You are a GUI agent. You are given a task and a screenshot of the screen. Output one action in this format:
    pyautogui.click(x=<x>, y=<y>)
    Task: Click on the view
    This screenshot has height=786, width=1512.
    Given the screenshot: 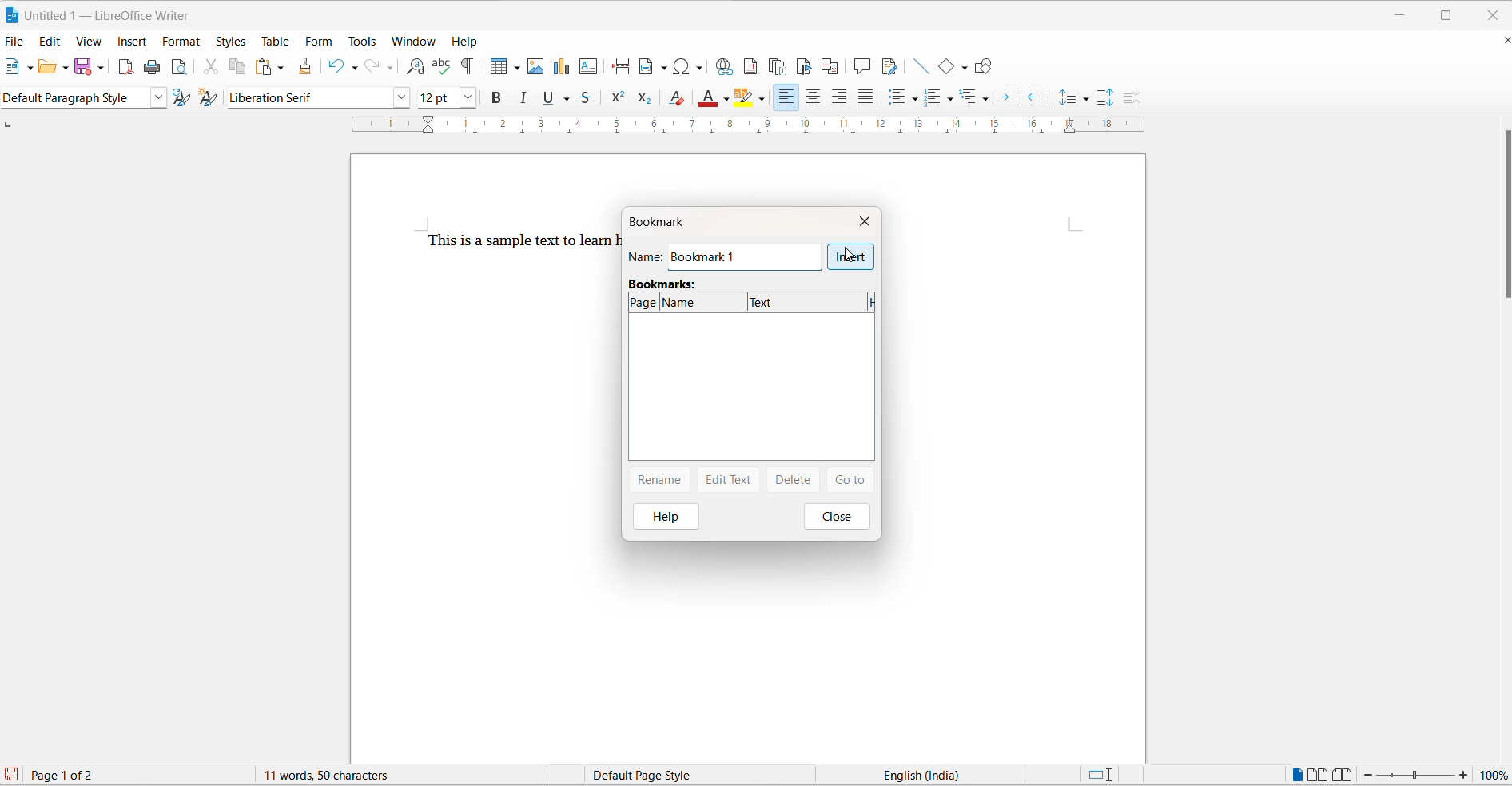 What is the action you would take?
    pyautogui.click(x=91, y=42)
    